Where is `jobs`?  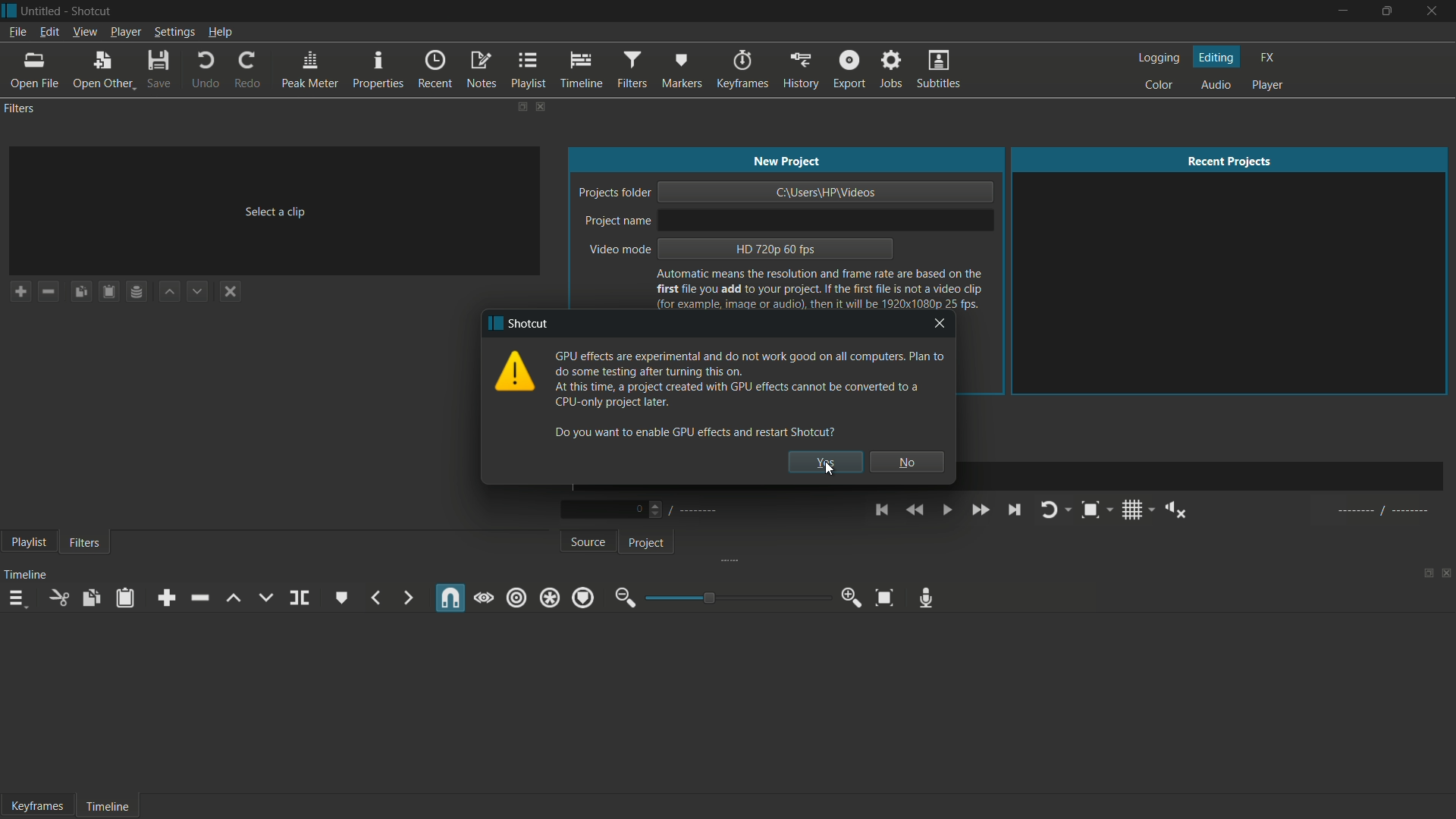 jobs is located at coordinates (892, 69).